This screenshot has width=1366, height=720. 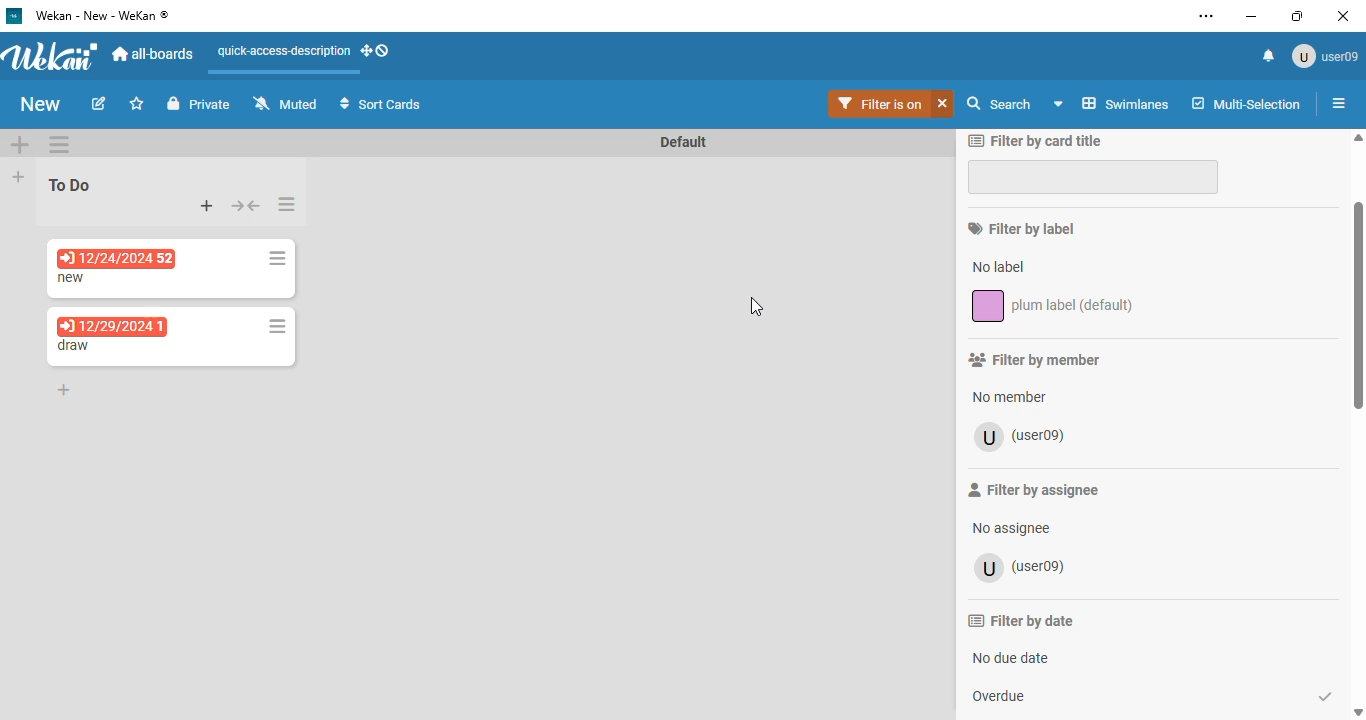 What do you see at coordinates (1021, 621) in the screenshot?
I see `filter by date` at bounding box center [1021, 621].